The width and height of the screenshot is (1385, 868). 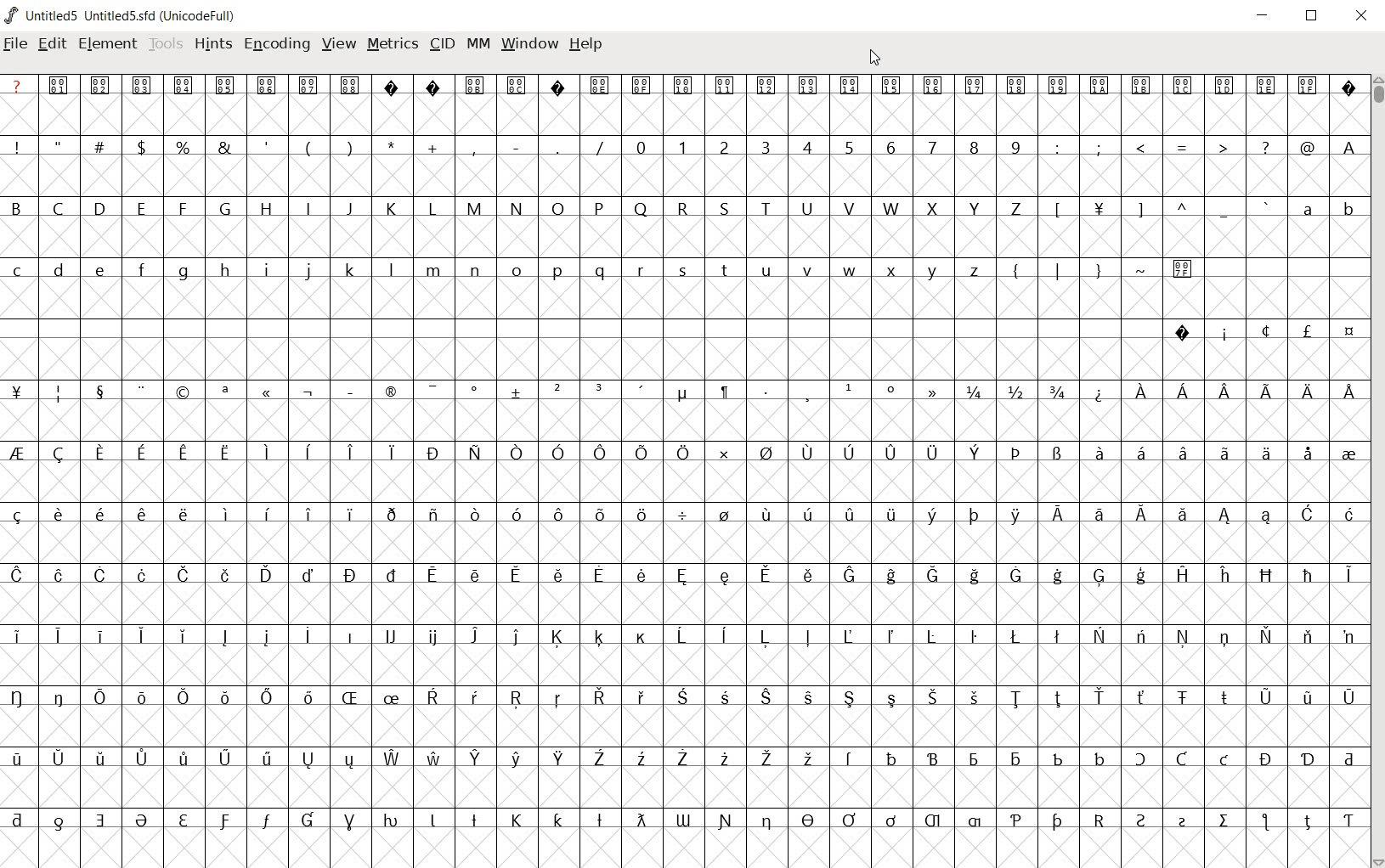 I want to click on Symbol, so click(x=140, y=635).